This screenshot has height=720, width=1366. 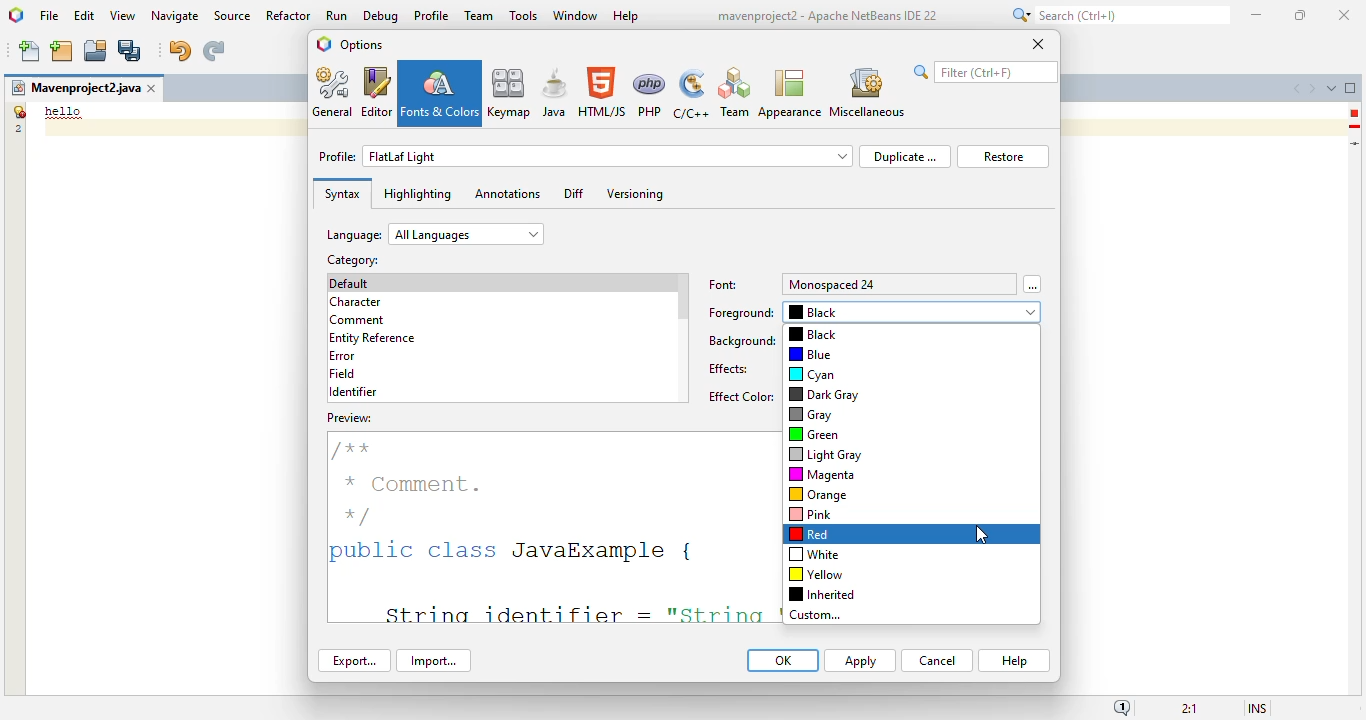 I want to click on gray, so click(x=811, y=415).